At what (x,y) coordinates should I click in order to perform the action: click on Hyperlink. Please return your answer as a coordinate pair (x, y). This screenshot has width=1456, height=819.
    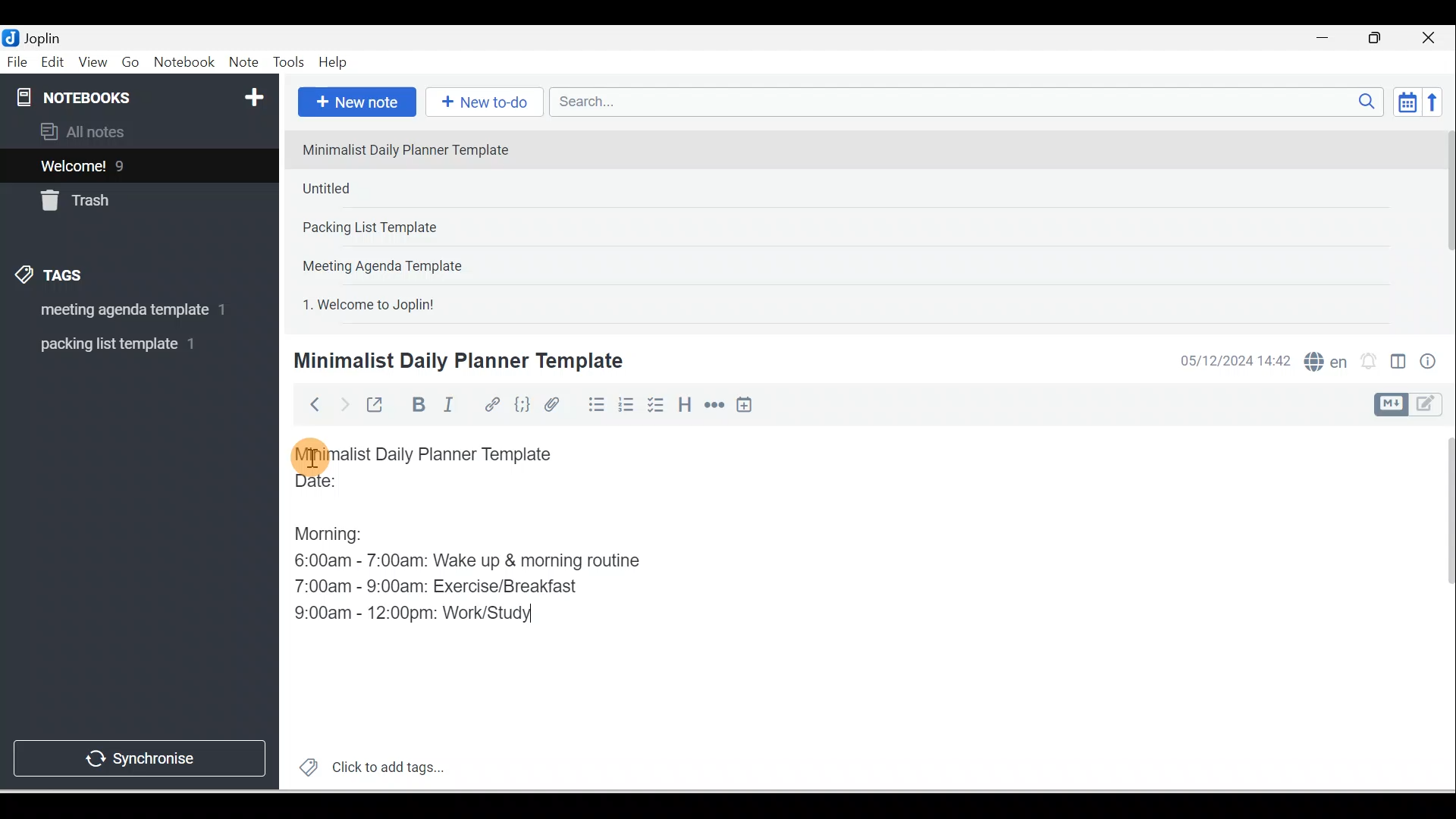
    Looking at the image, I should click on (491, 406).